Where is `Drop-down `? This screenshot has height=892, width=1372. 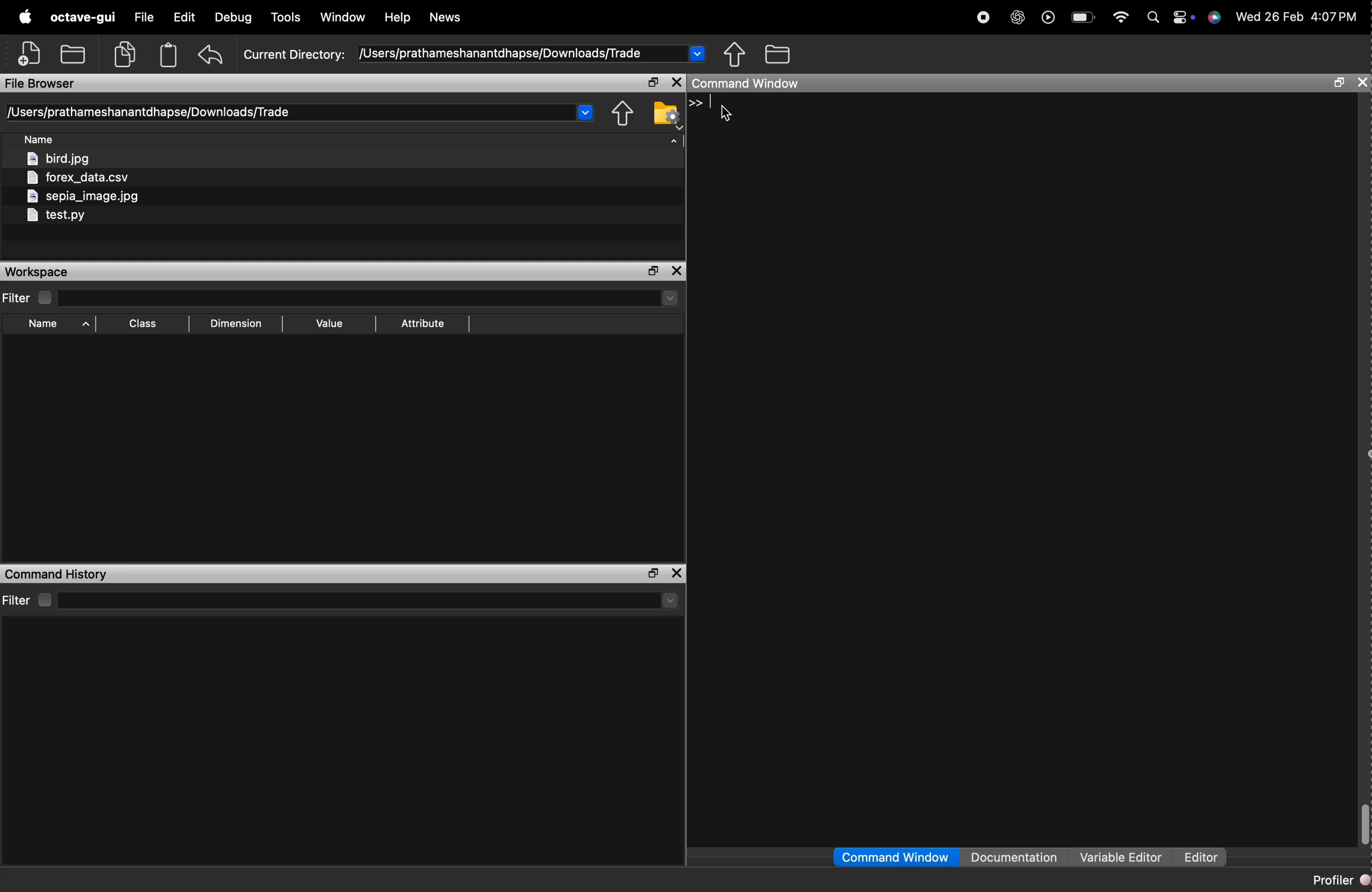 Drop-down  is located at coordinates (698, 54).